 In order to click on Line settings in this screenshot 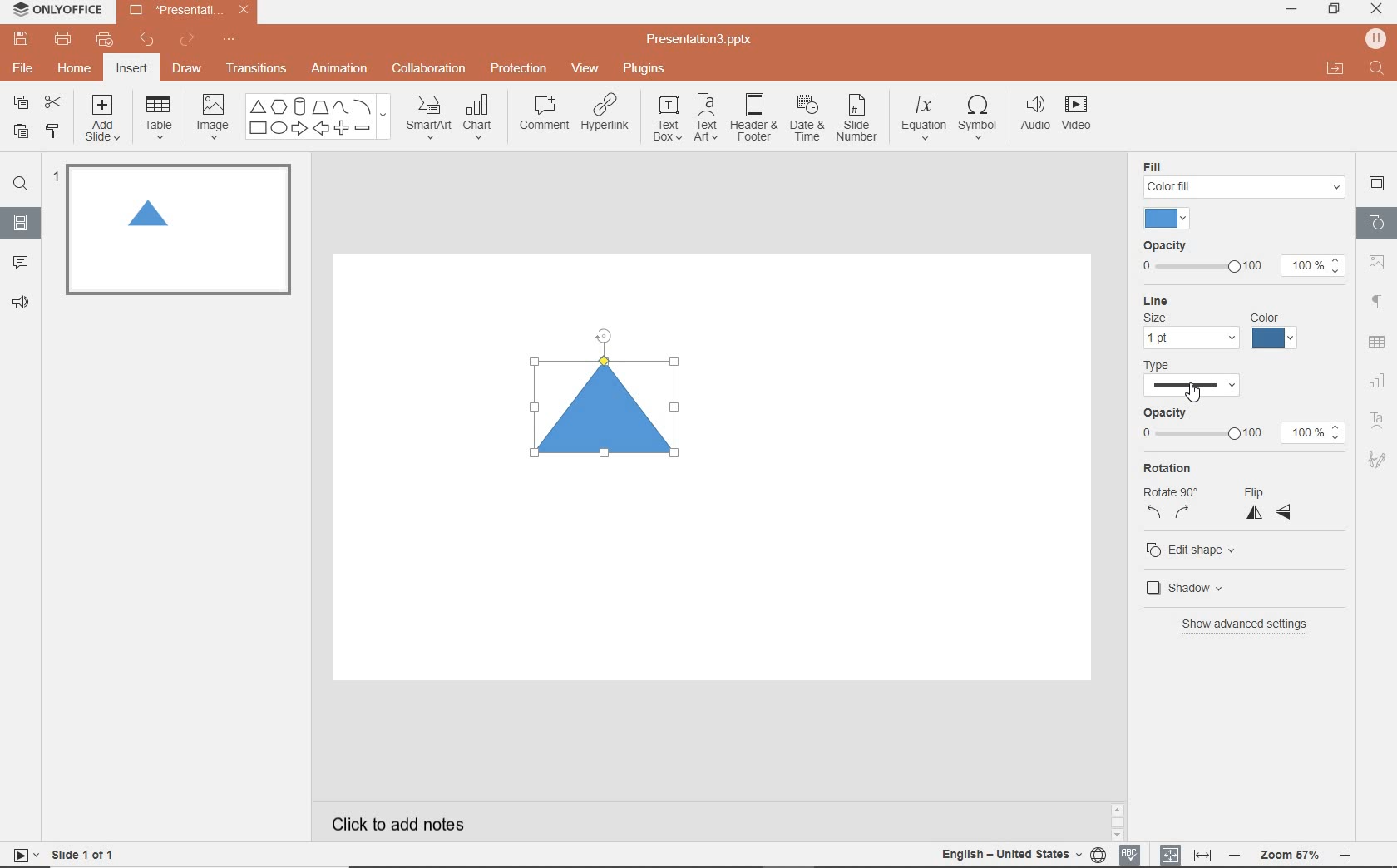, I will do `click(1220, 323)`.